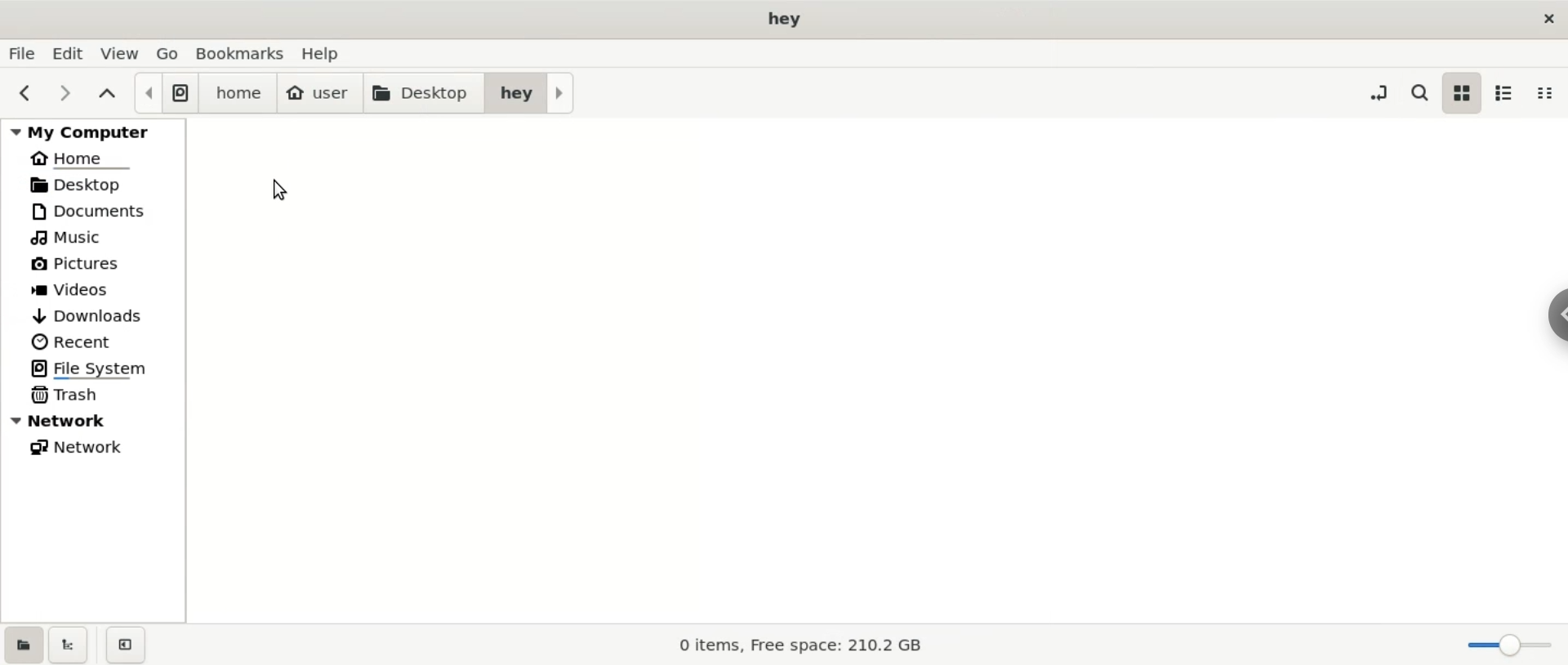  What do you see at coordinates (94, 342) in the screenshot?
I see `recent` at bounding box center [94, 342].